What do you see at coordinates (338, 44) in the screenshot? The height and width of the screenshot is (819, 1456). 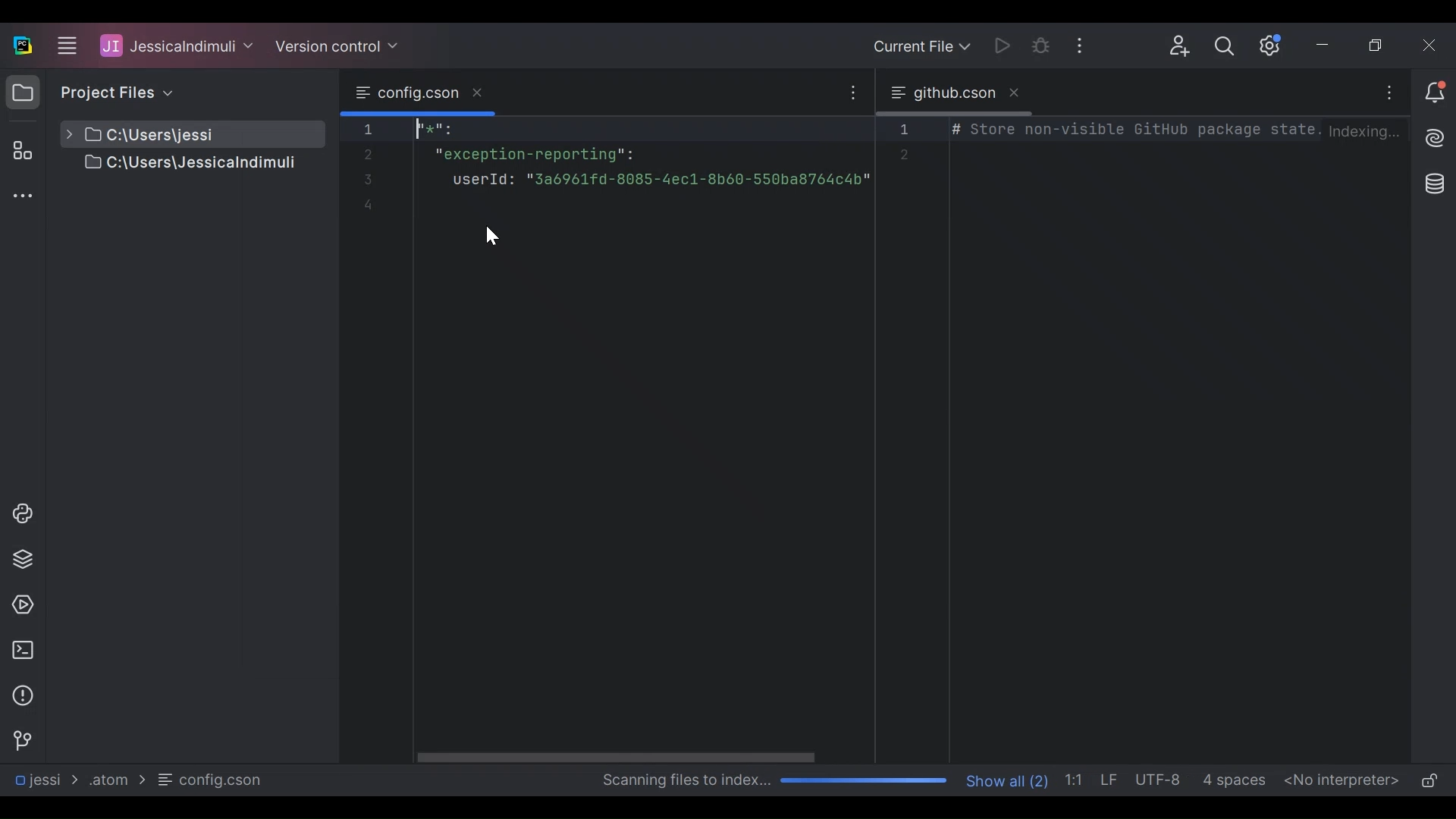 I see `Version Control` at bounding box center [338, 44].